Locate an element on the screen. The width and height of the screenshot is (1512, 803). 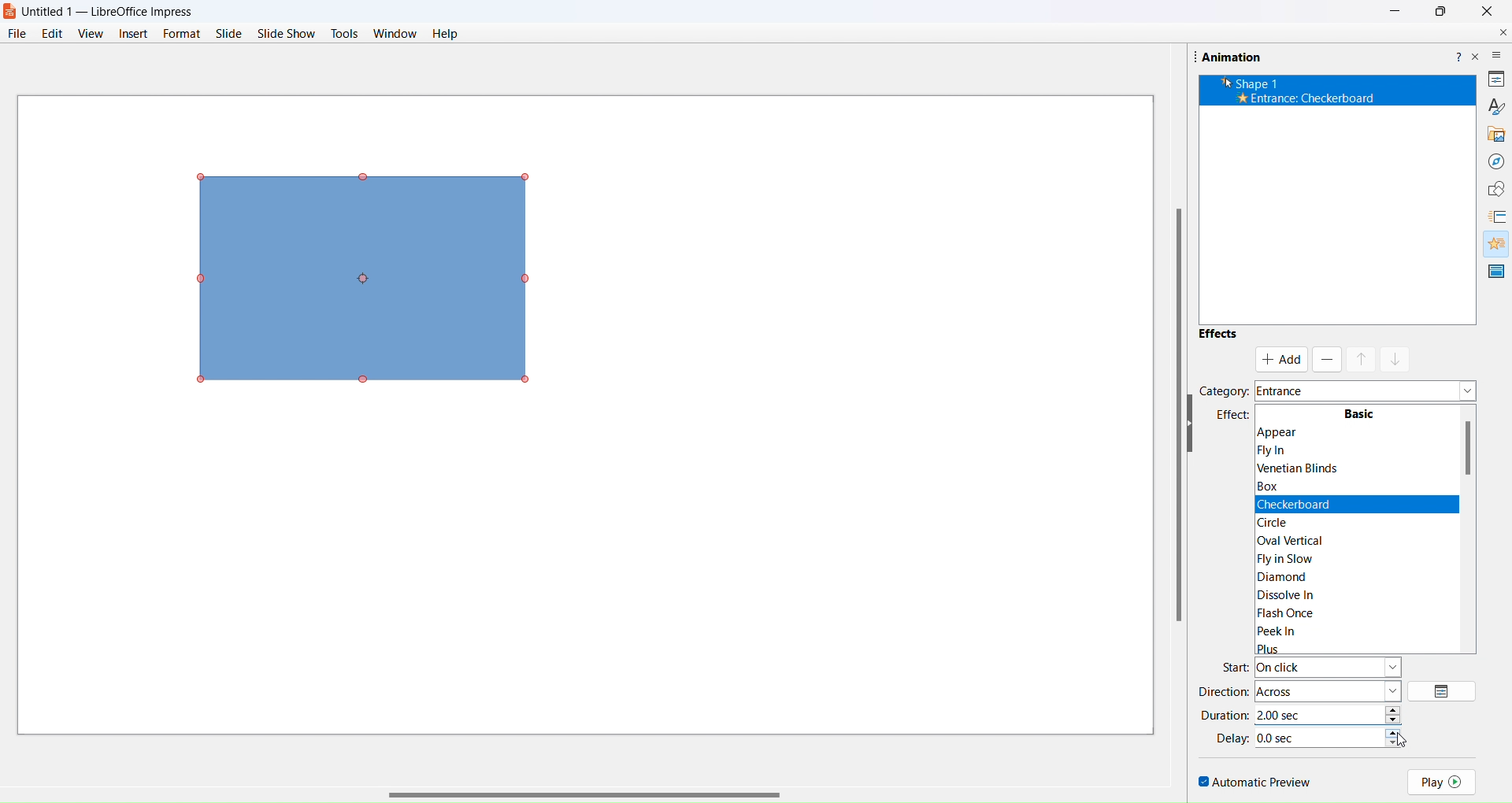
start type is located at coordinates (1332, 667).